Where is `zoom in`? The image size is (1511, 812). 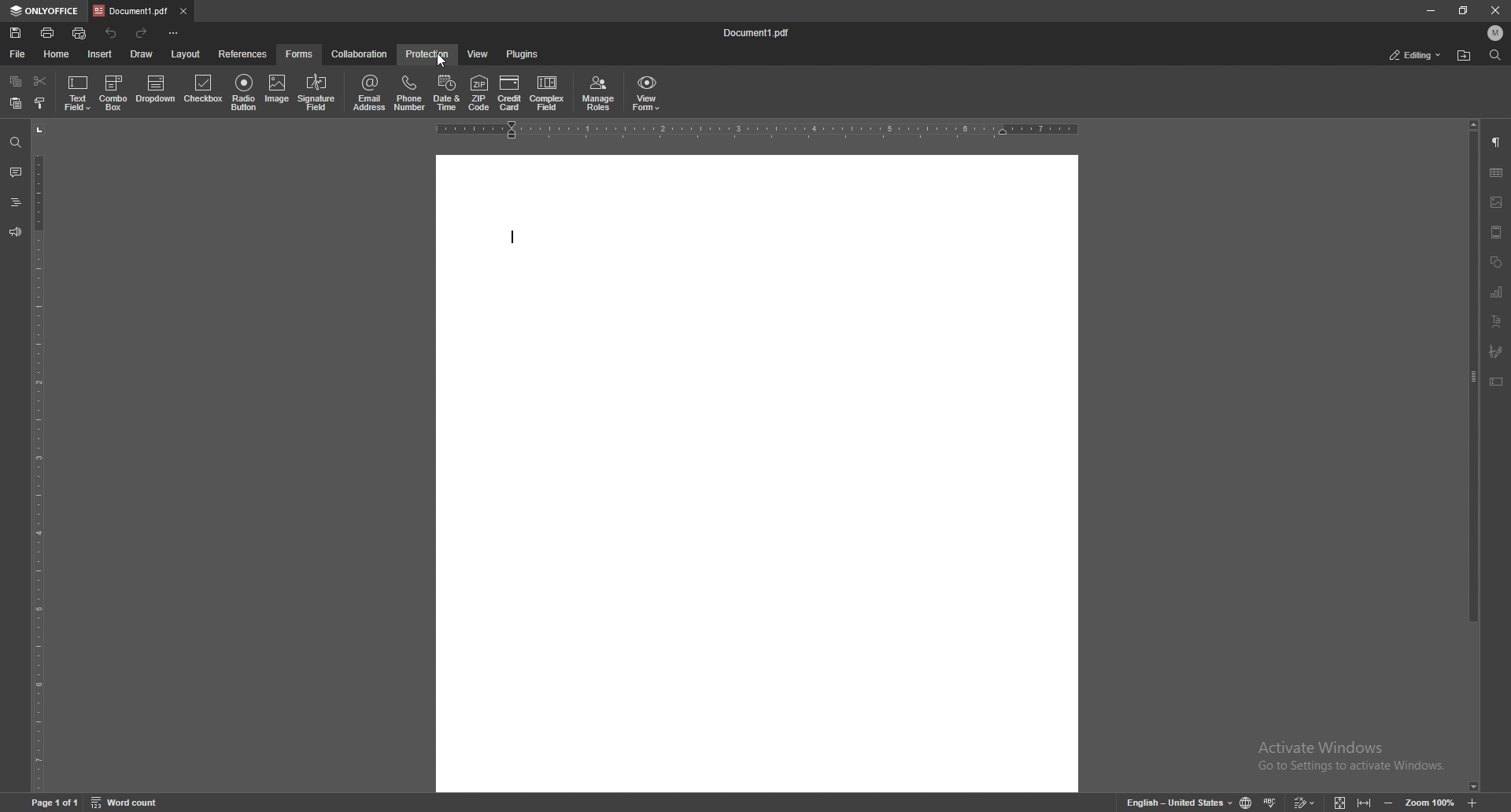 zoom in is located at coordinates (1474, 801).